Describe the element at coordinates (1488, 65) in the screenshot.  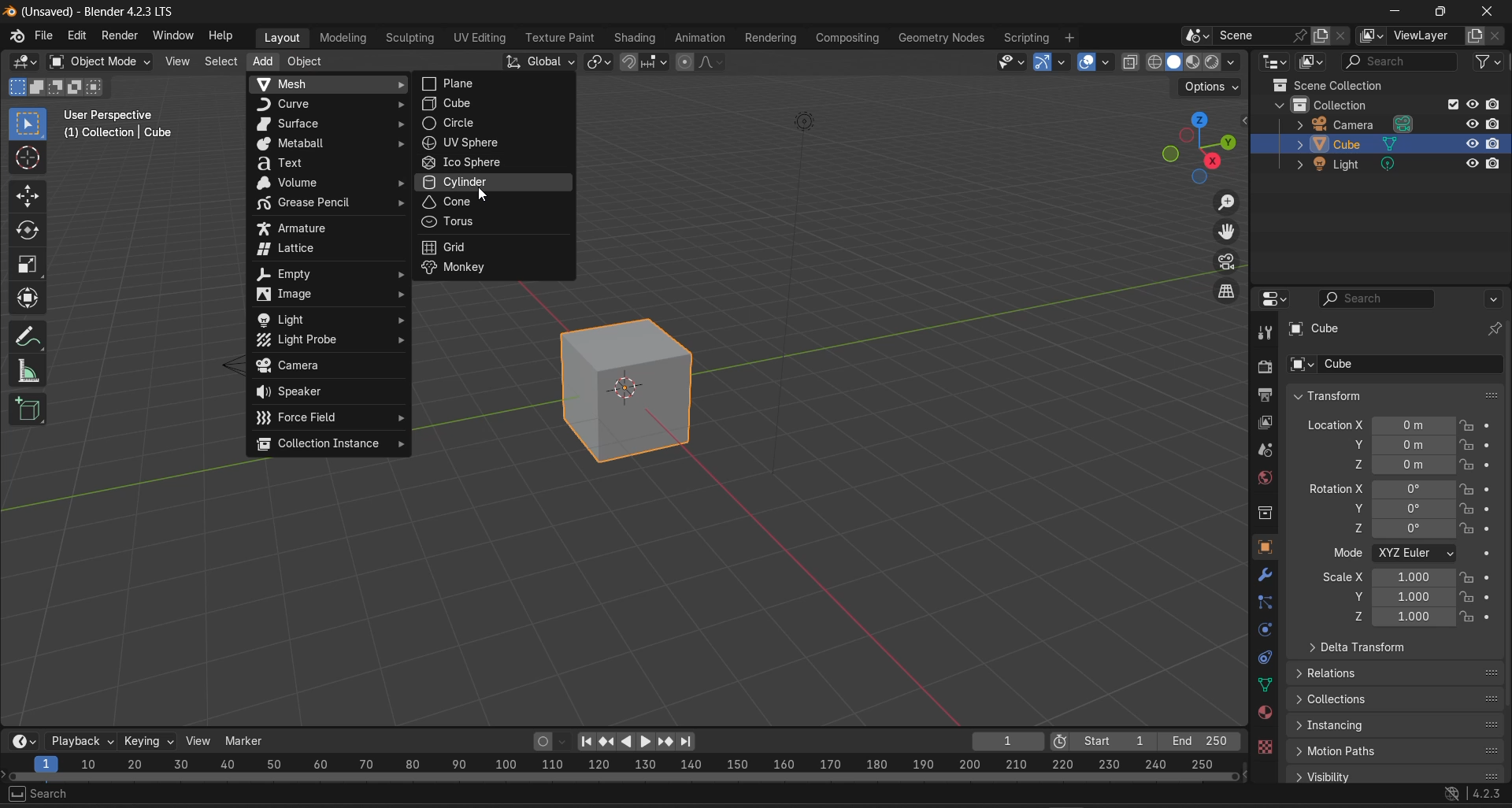
I see `filter` at that location.